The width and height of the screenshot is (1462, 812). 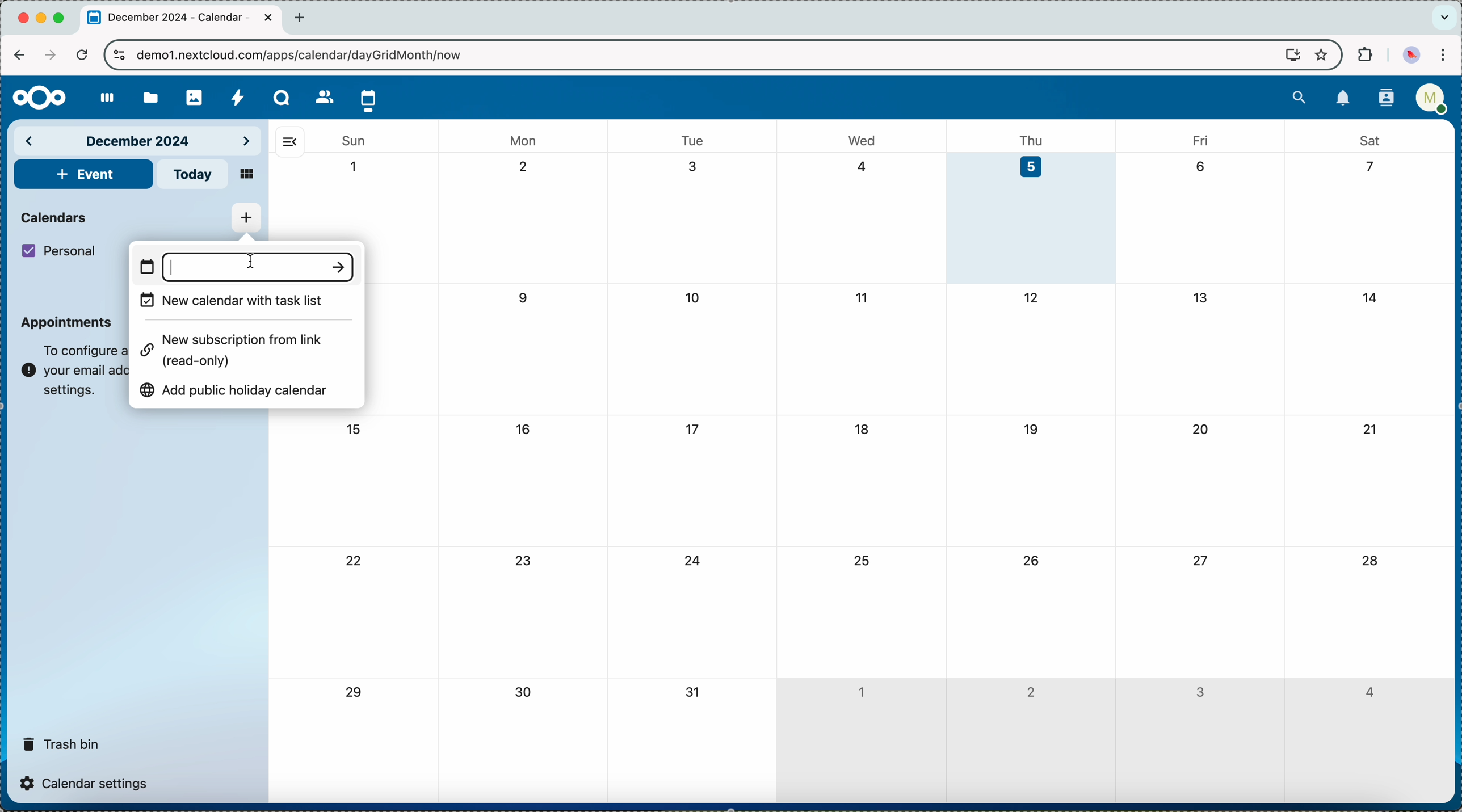 What do you see at coordinates (62, 740) in the screenshot?
I see `trash bin` at bounding box center [62, 740].